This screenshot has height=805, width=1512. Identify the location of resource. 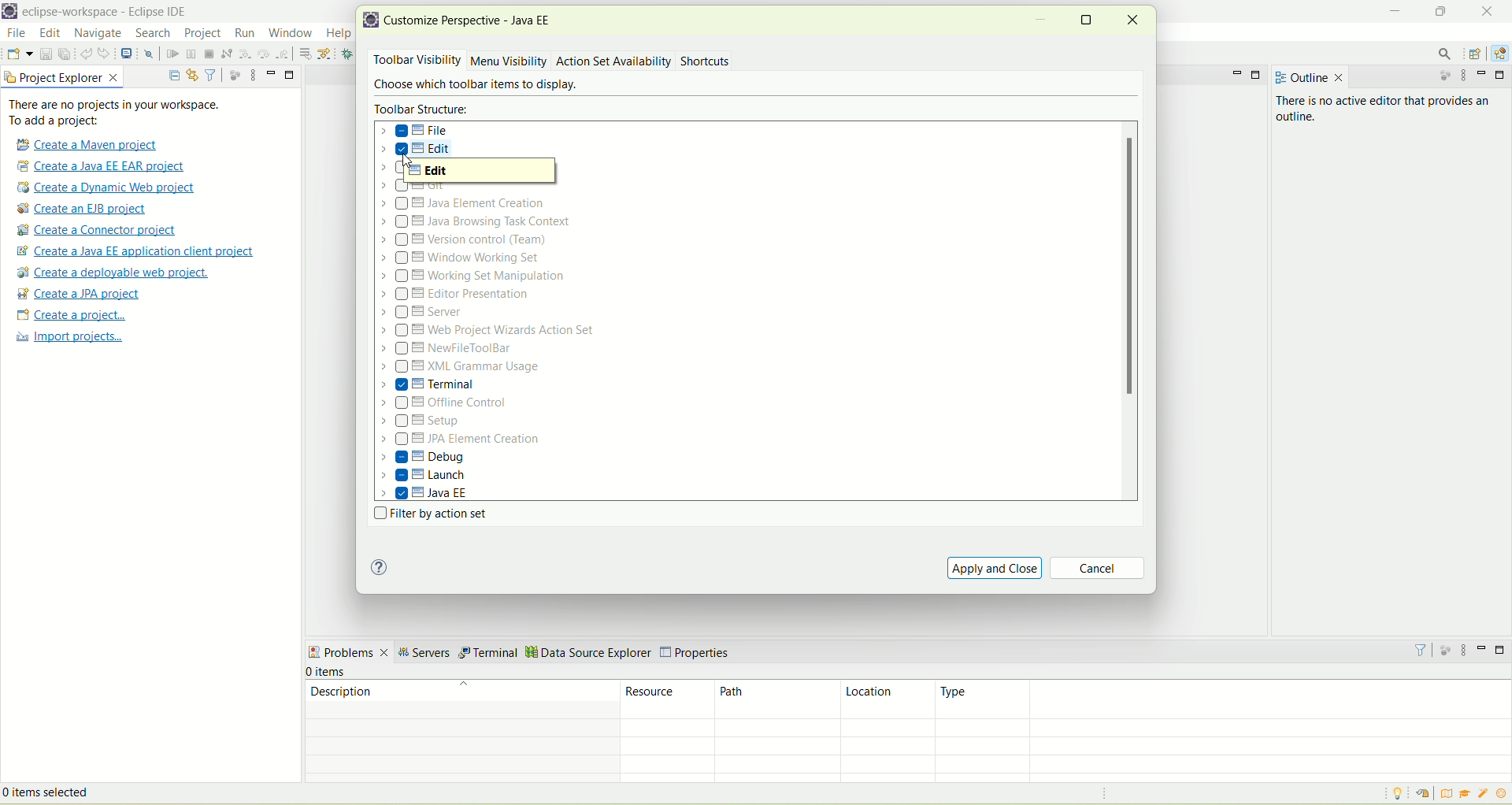
(669, 699).